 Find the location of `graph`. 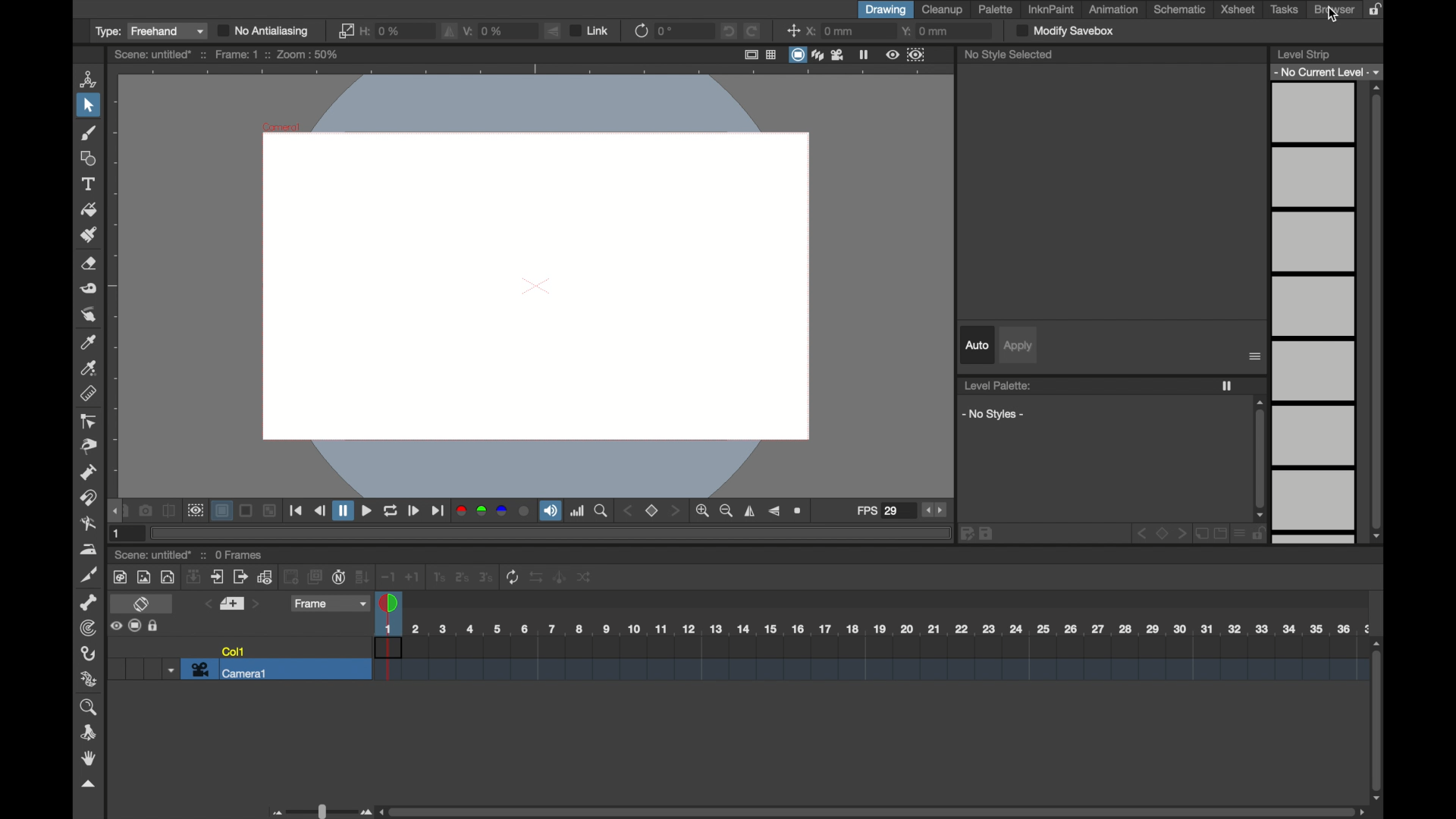

graph is located at coordinates (265, 577).